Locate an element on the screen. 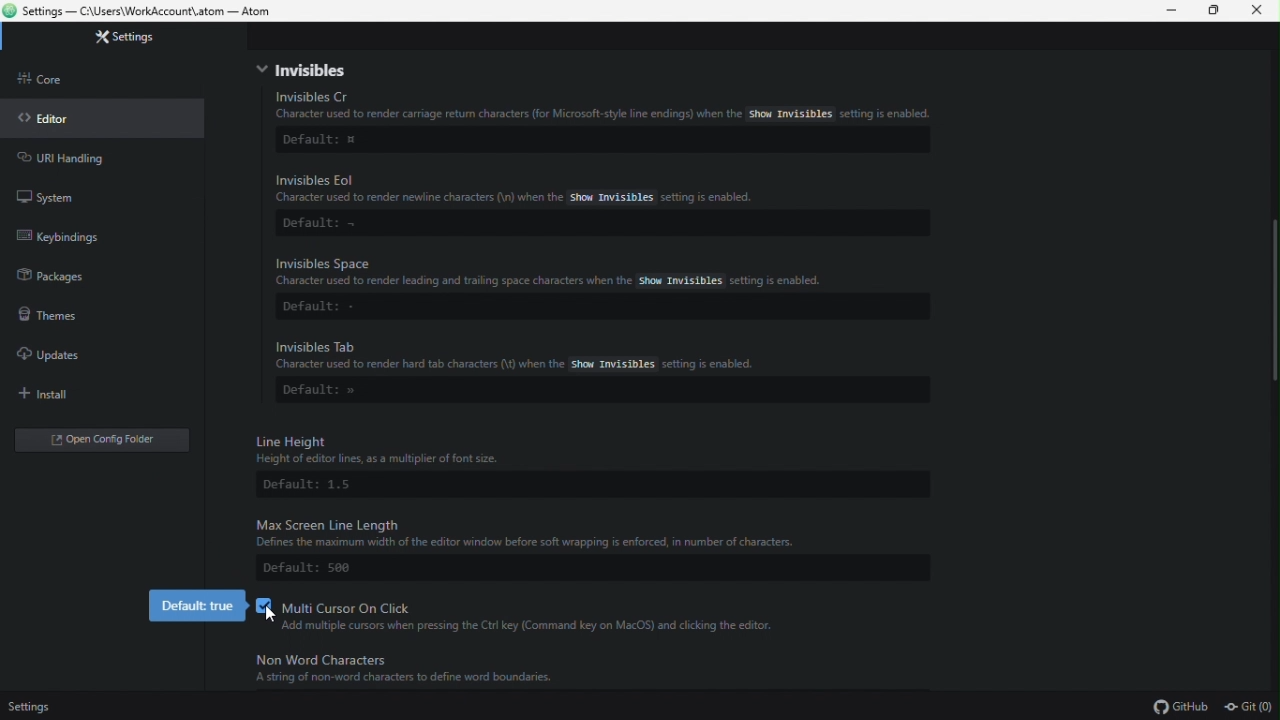 The width and height of the screenshot is (1280, 720). Muti Cursor On Click is located at coordinates (343, 603).